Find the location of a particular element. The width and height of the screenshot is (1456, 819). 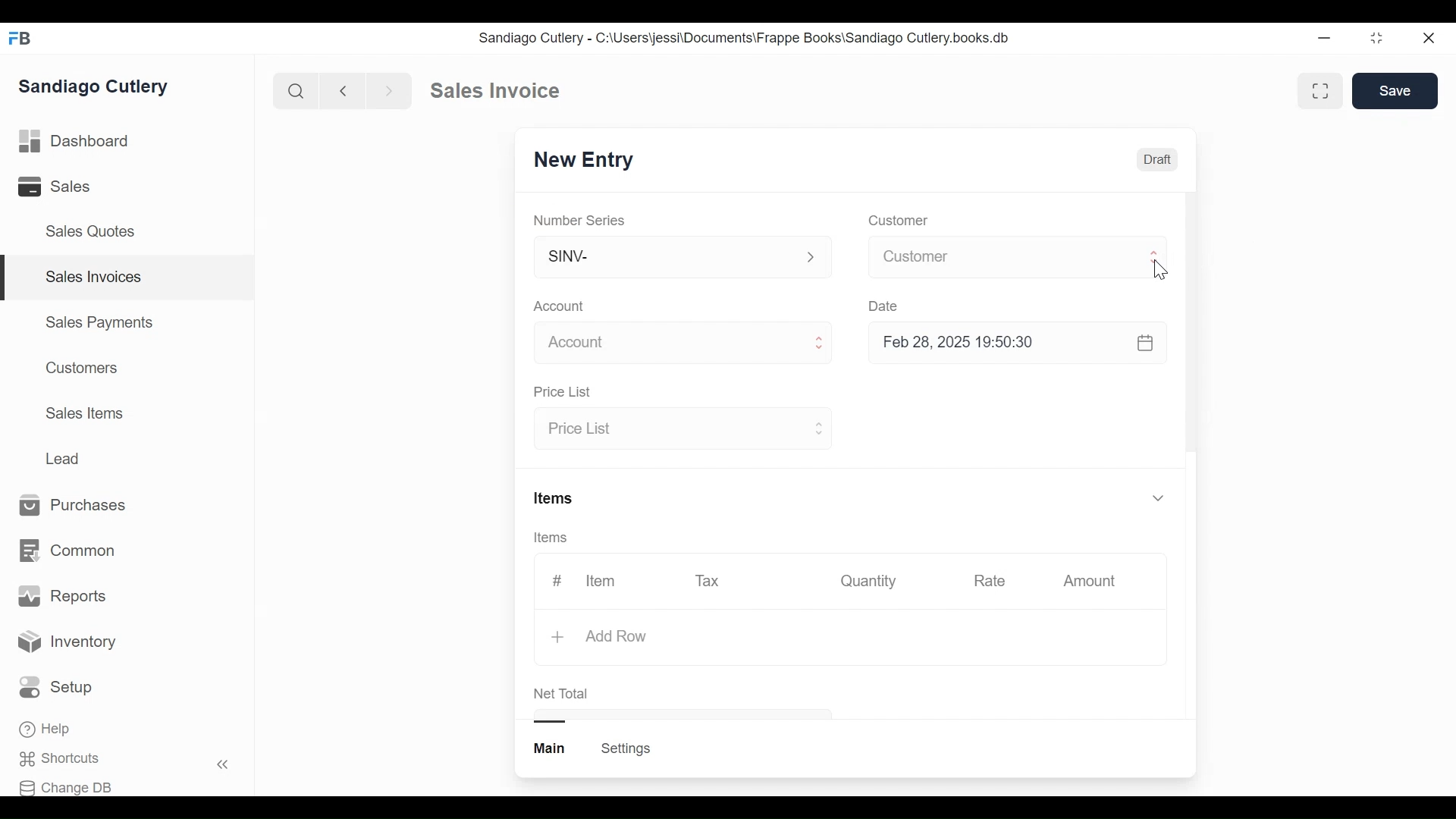

Settings is located at coordinates (628, 748).